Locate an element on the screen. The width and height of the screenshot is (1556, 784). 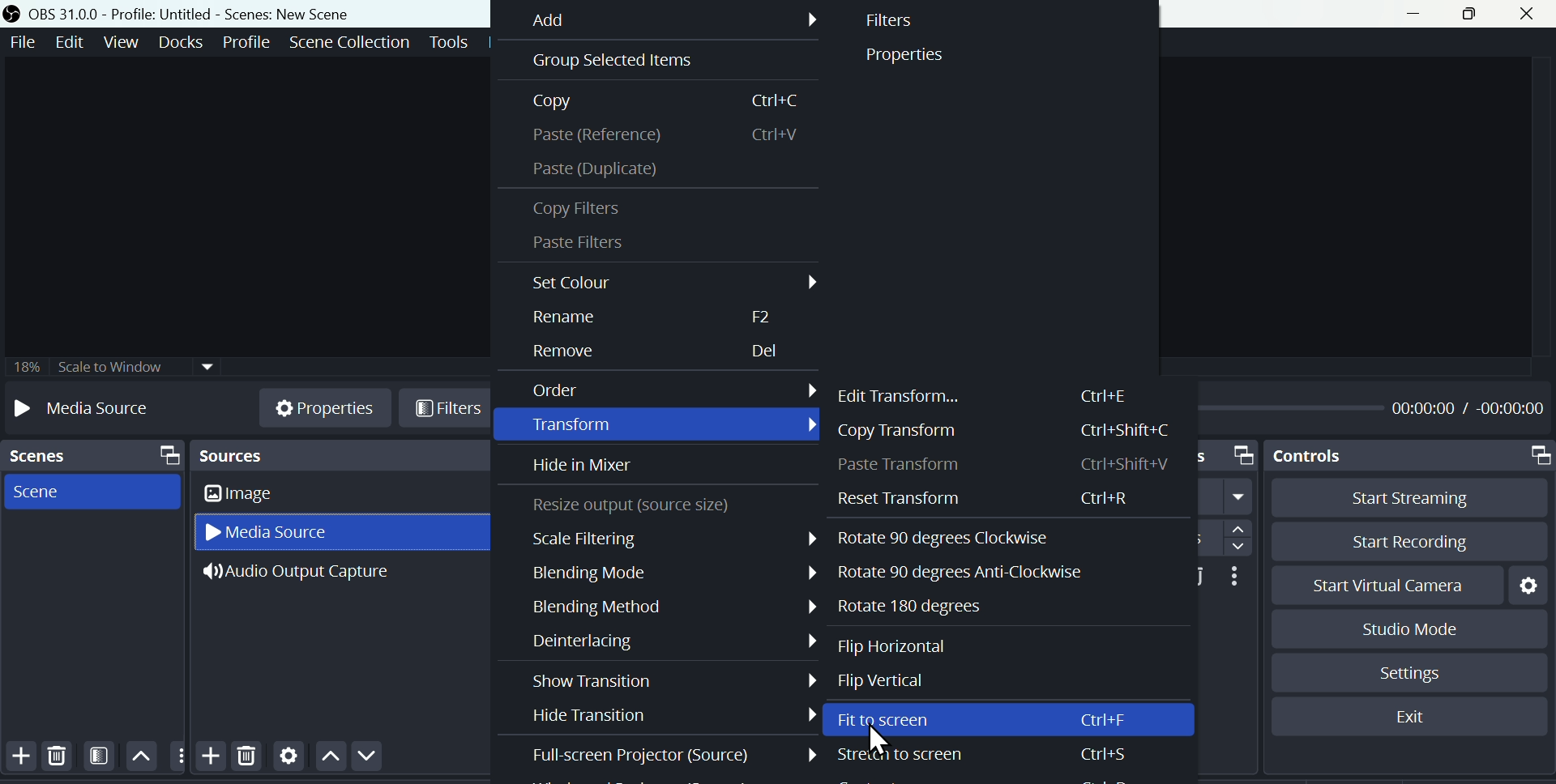
Deinterlacing is located at coordinates (677, 639).